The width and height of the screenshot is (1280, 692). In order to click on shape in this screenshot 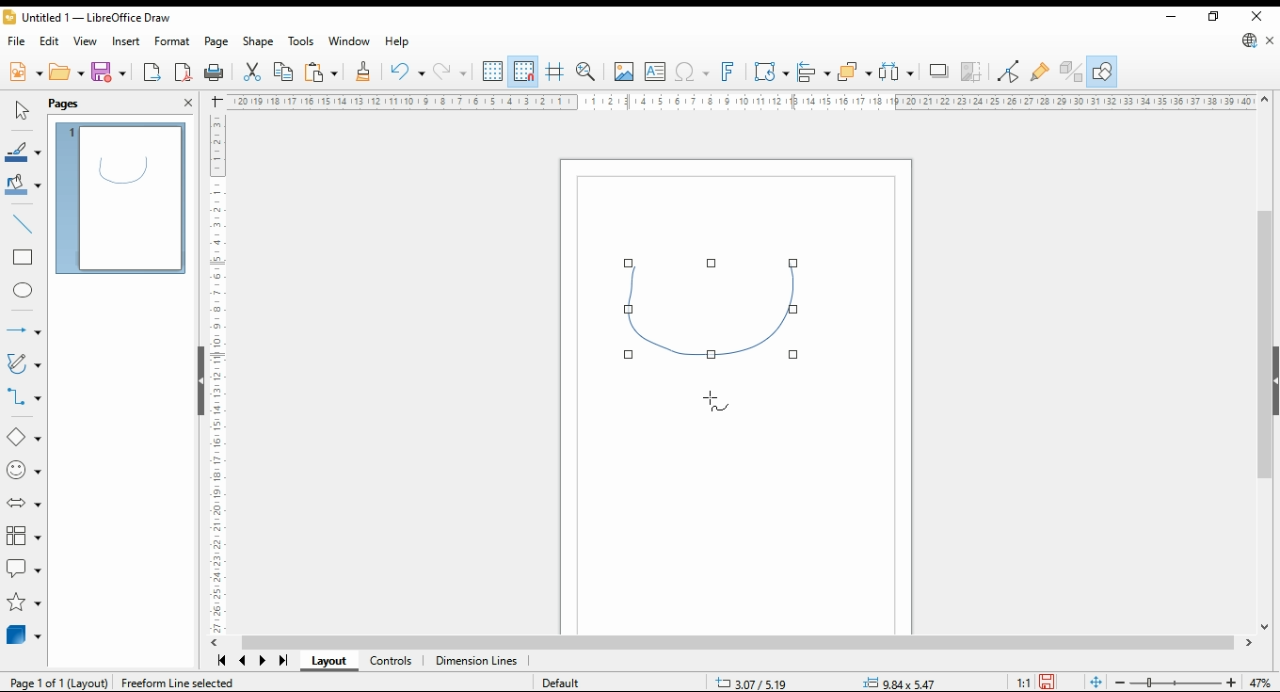, I will do `click(257, 41)`.